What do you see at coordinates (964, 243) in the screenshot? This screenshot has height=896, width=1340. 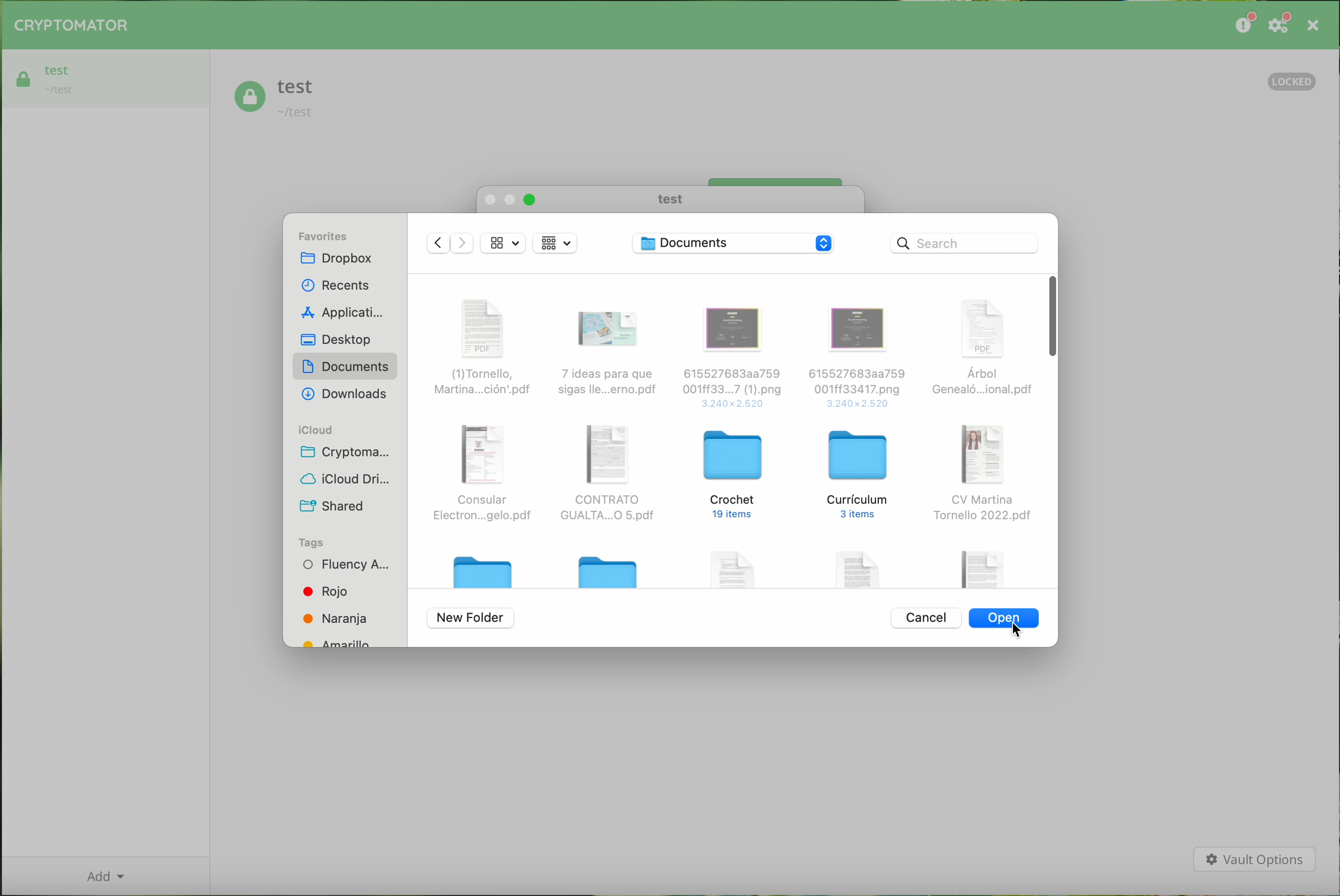 I see `search bar` at bounding box center [964, 243].